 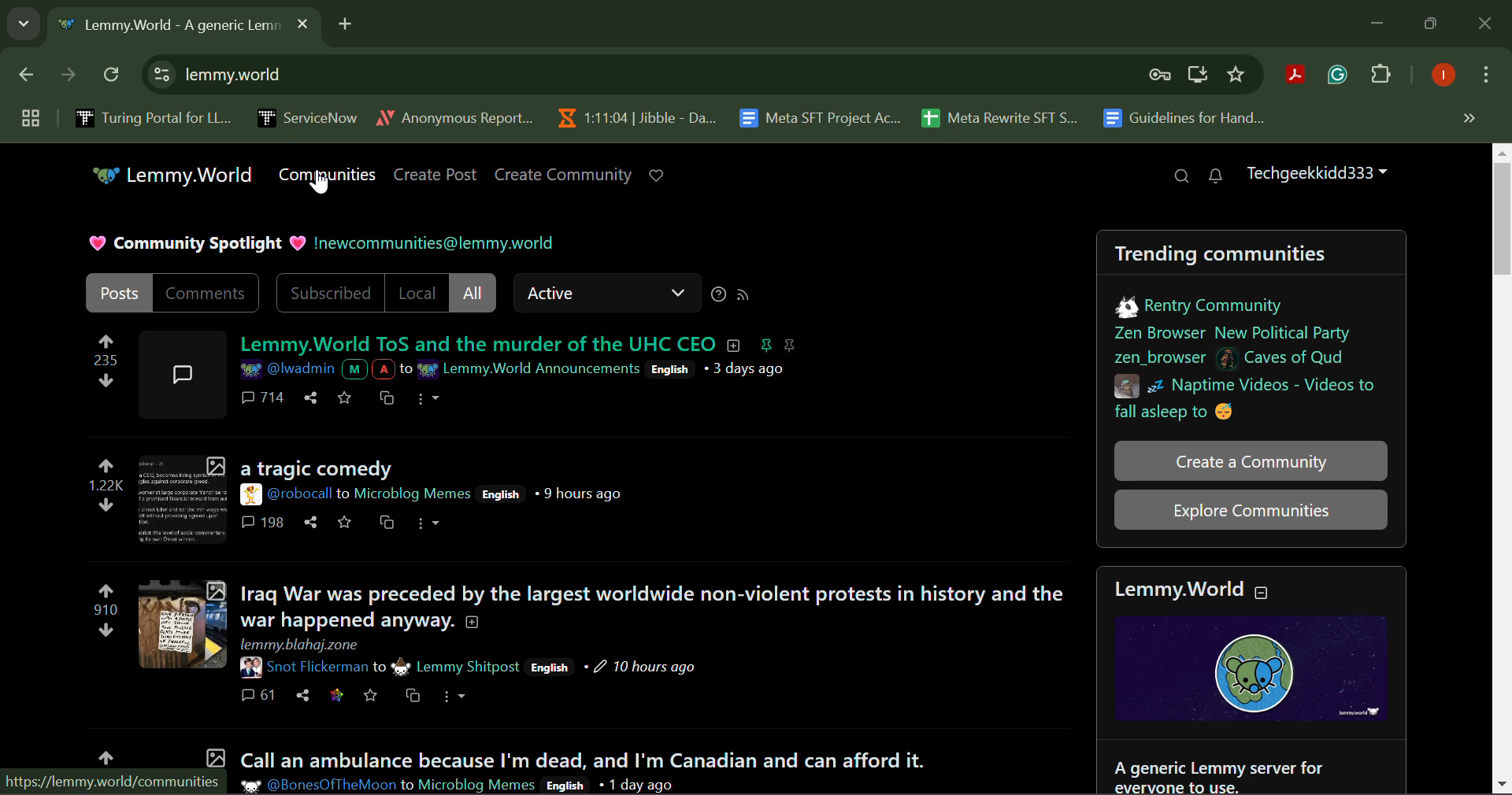 What do you see at coordinates (176, 176) in the screenshot?
I see `Lemmy.World` at bounding box center [176, 176].